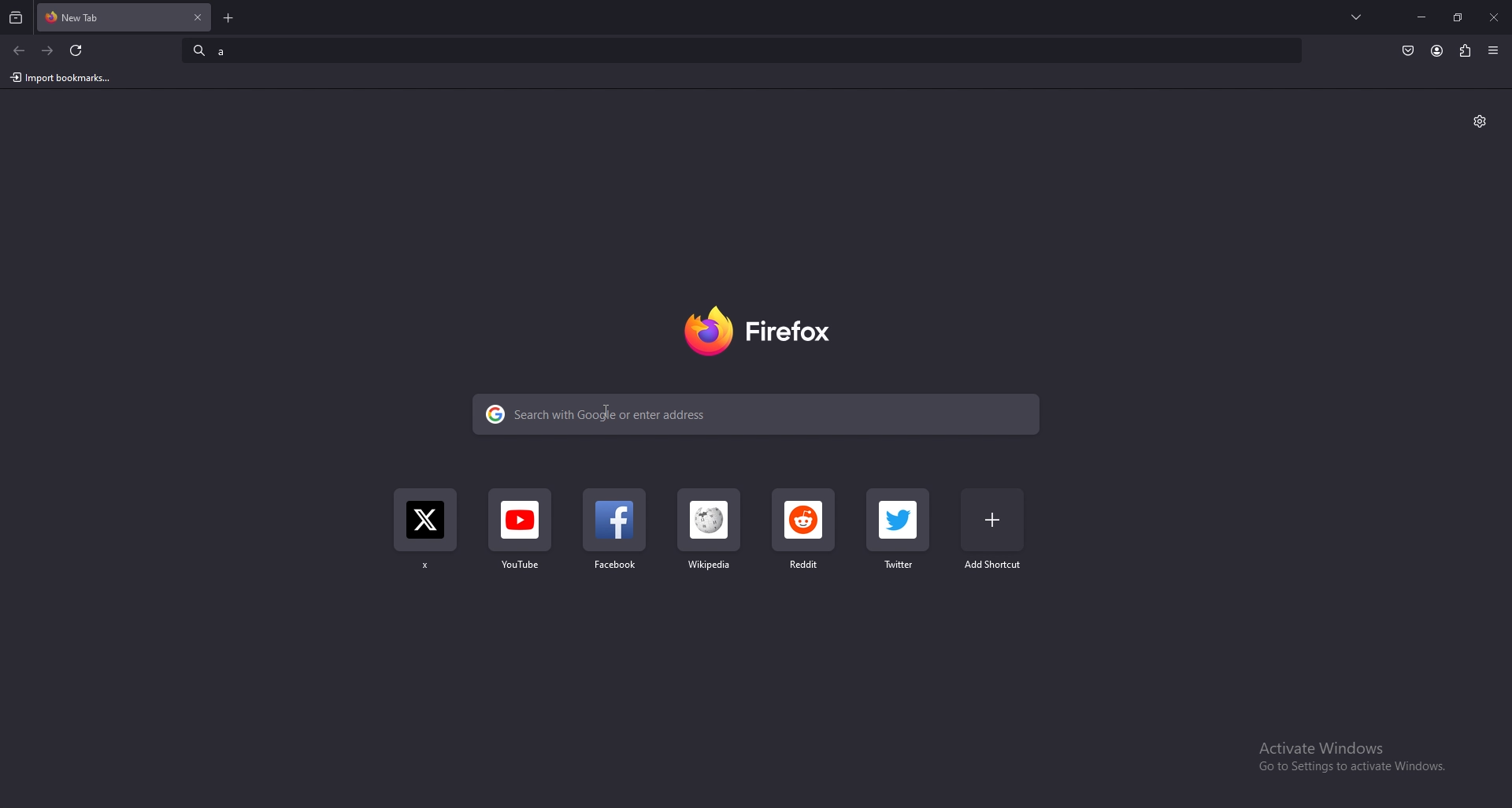  What do you see at coordinates (1358, 16) in the screenshot?
I see `list all tabs` at bounding box center [1358, 16].